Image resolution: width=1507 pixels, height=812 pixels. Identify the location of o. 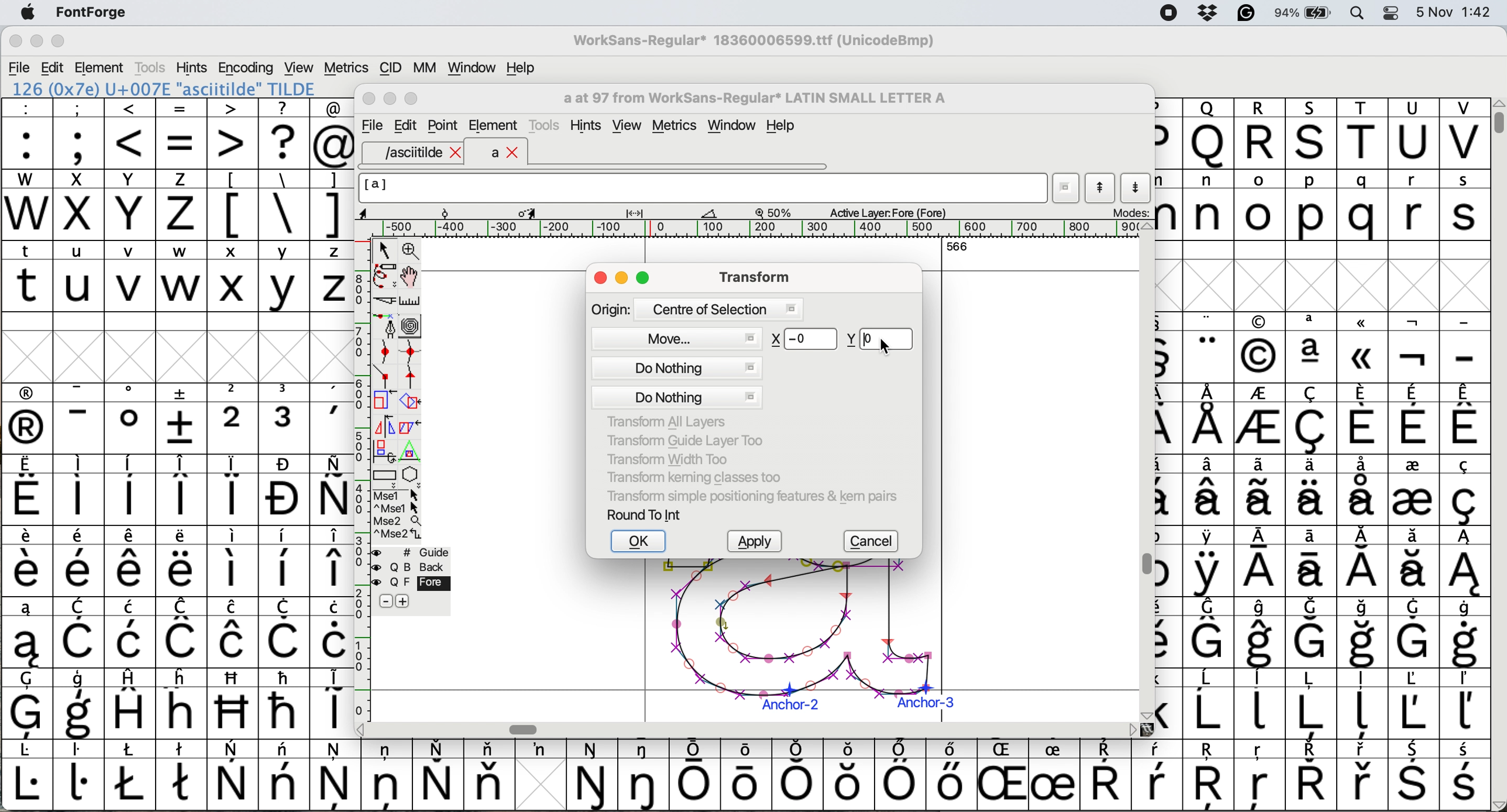
(1261, 207).